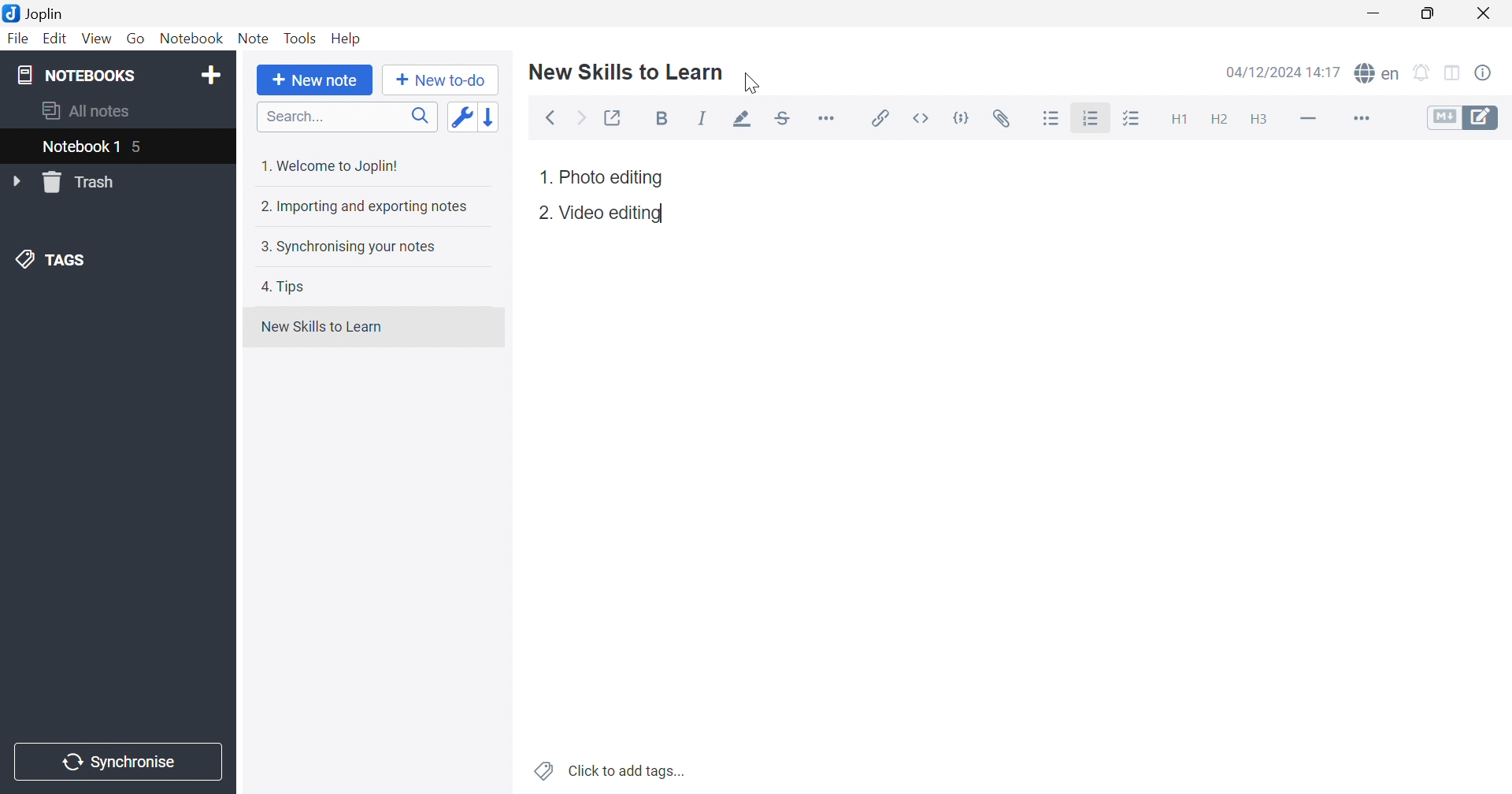 This screenshot has width=1512, height=794. I want to click on Synchronize, so click(121, 762).